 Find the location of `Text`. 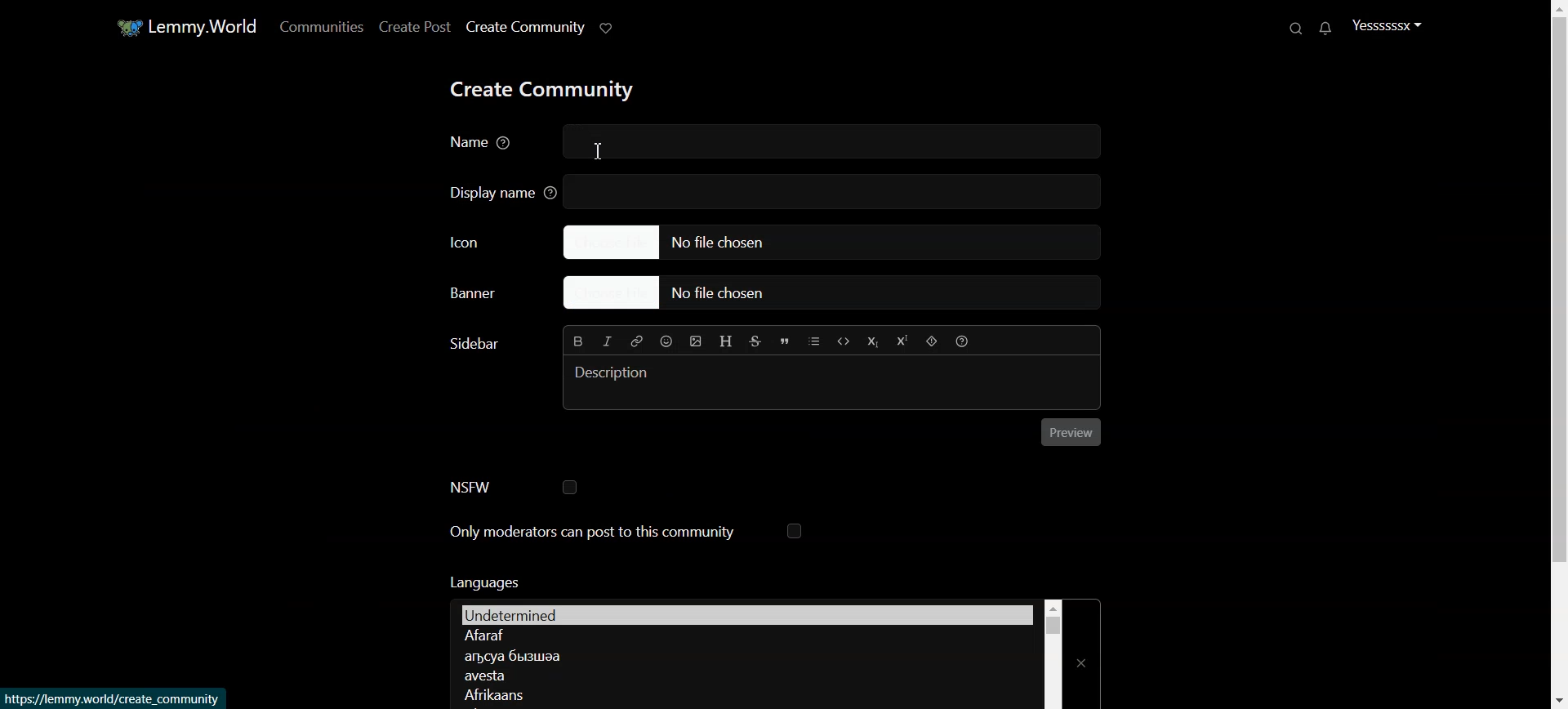

Text is located at coordinates (483, 582).